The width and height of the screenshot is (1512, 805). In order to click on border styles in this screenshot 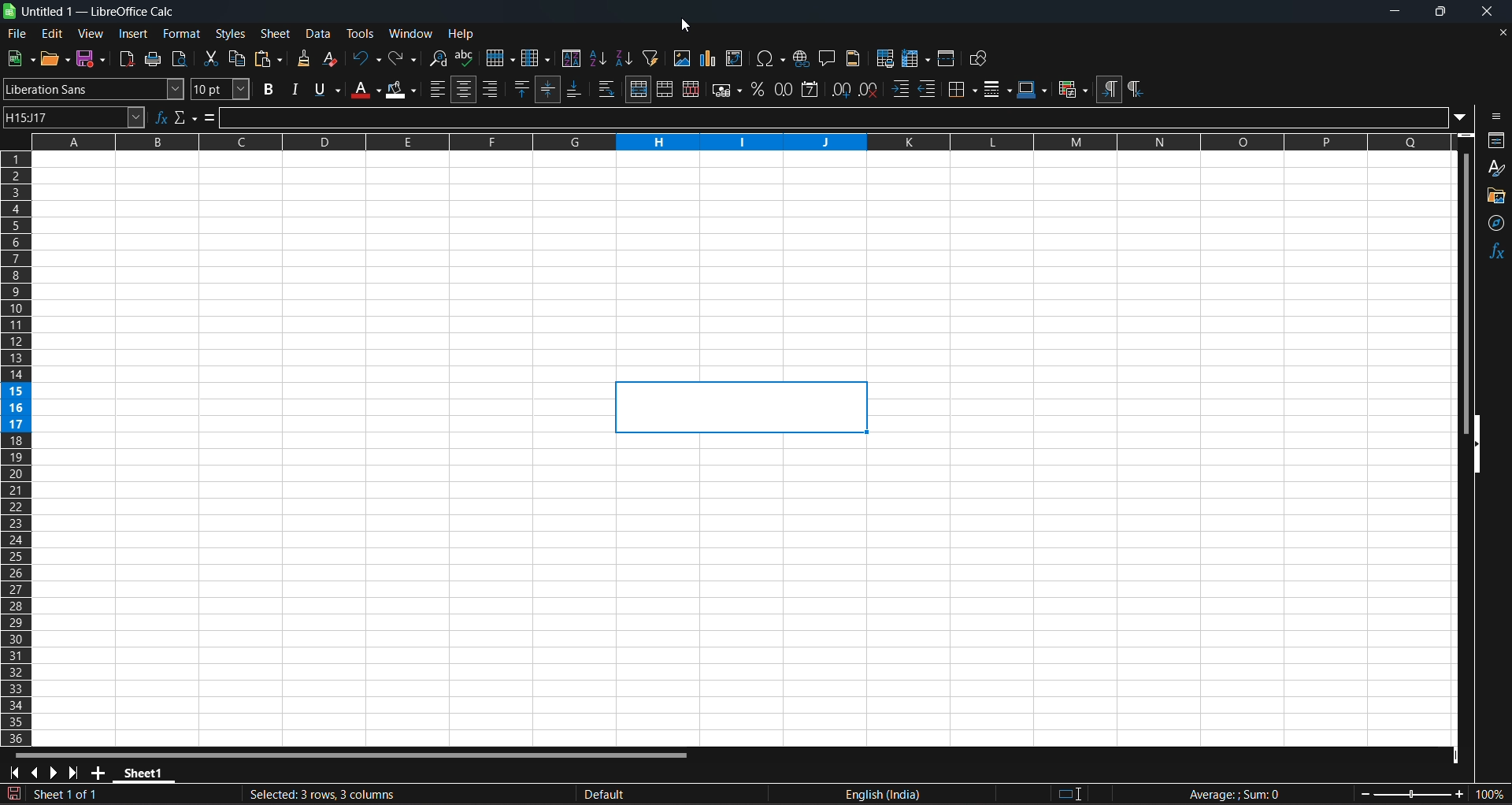, I will do `click(999, 90)`.